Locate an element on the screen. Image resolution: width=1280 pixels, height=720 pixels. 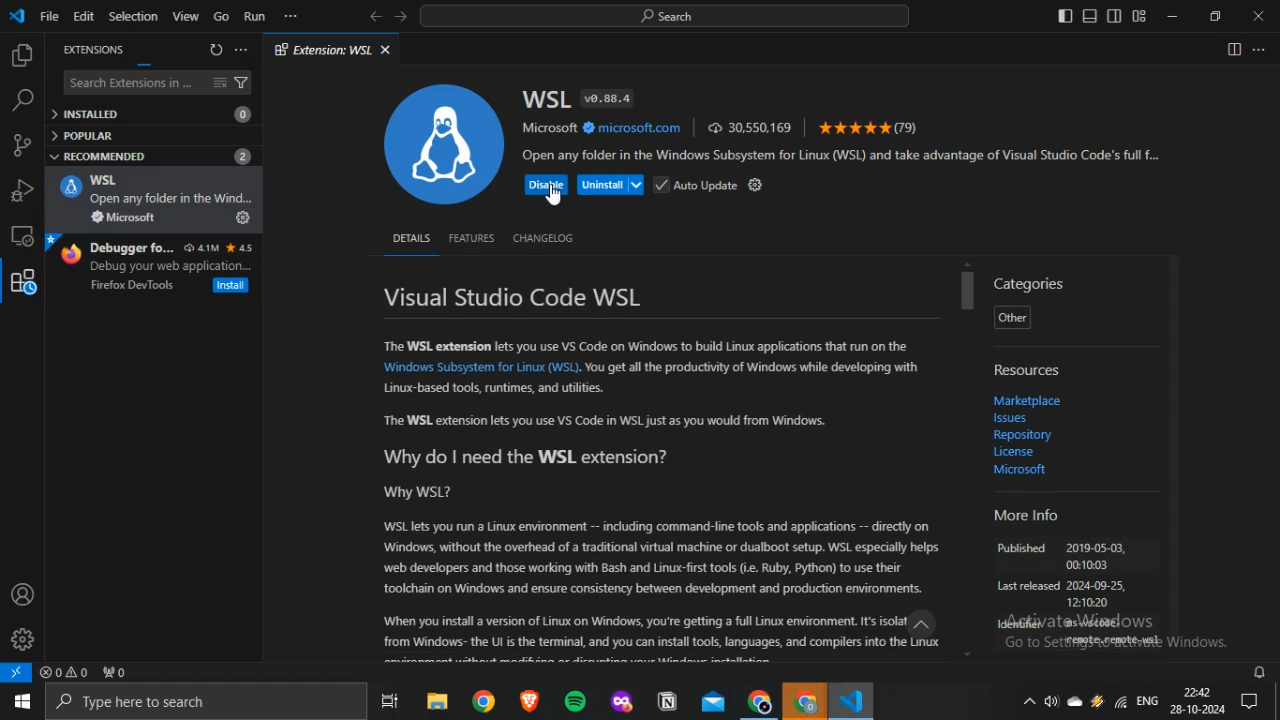
Published is located at coordinates (1022, 550).